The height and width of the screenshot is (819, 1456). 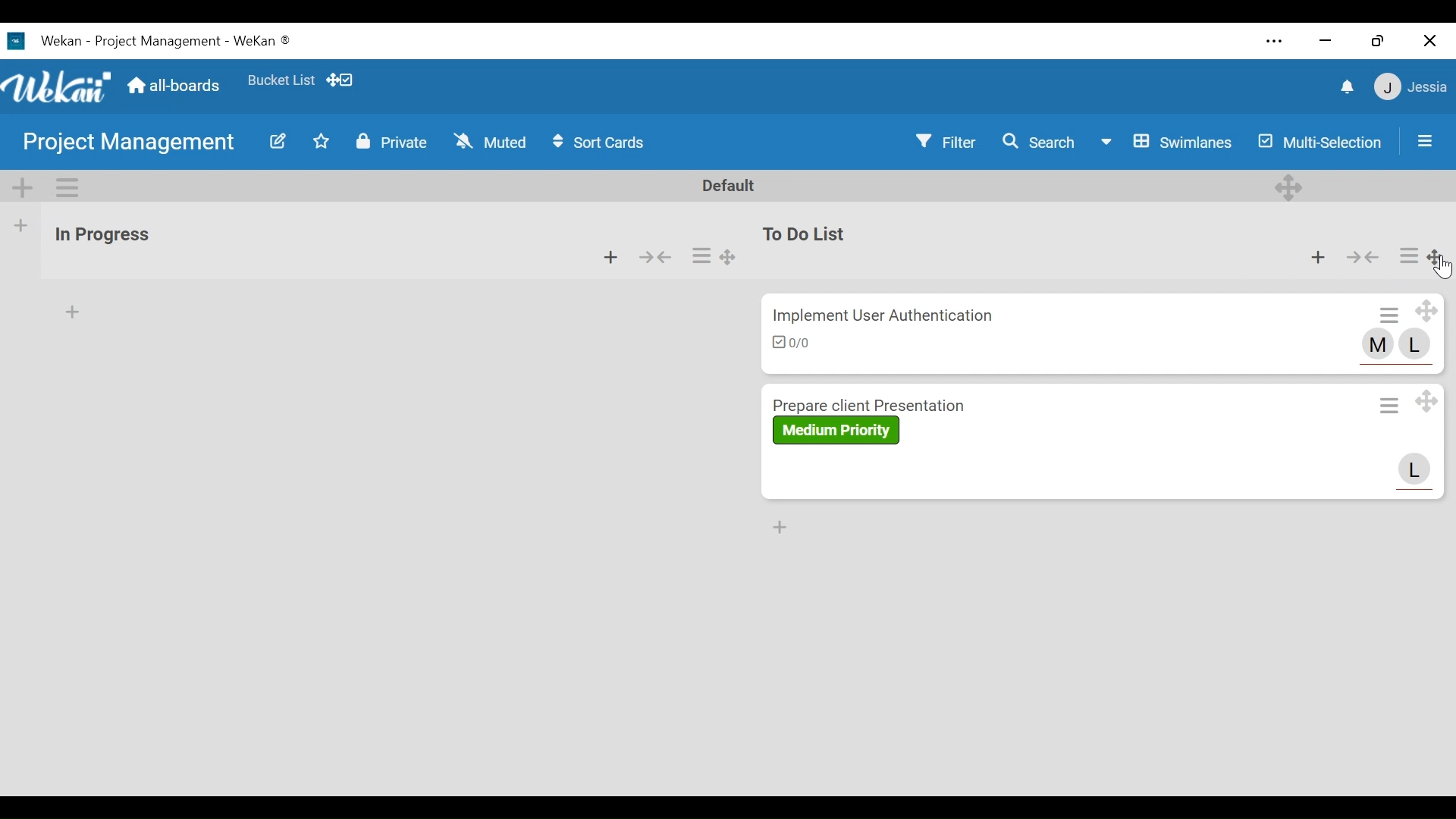 What do you see at coordinates (1323, 42) in the screenshot?
I see `minimize` at bounding box center [1323, 42].